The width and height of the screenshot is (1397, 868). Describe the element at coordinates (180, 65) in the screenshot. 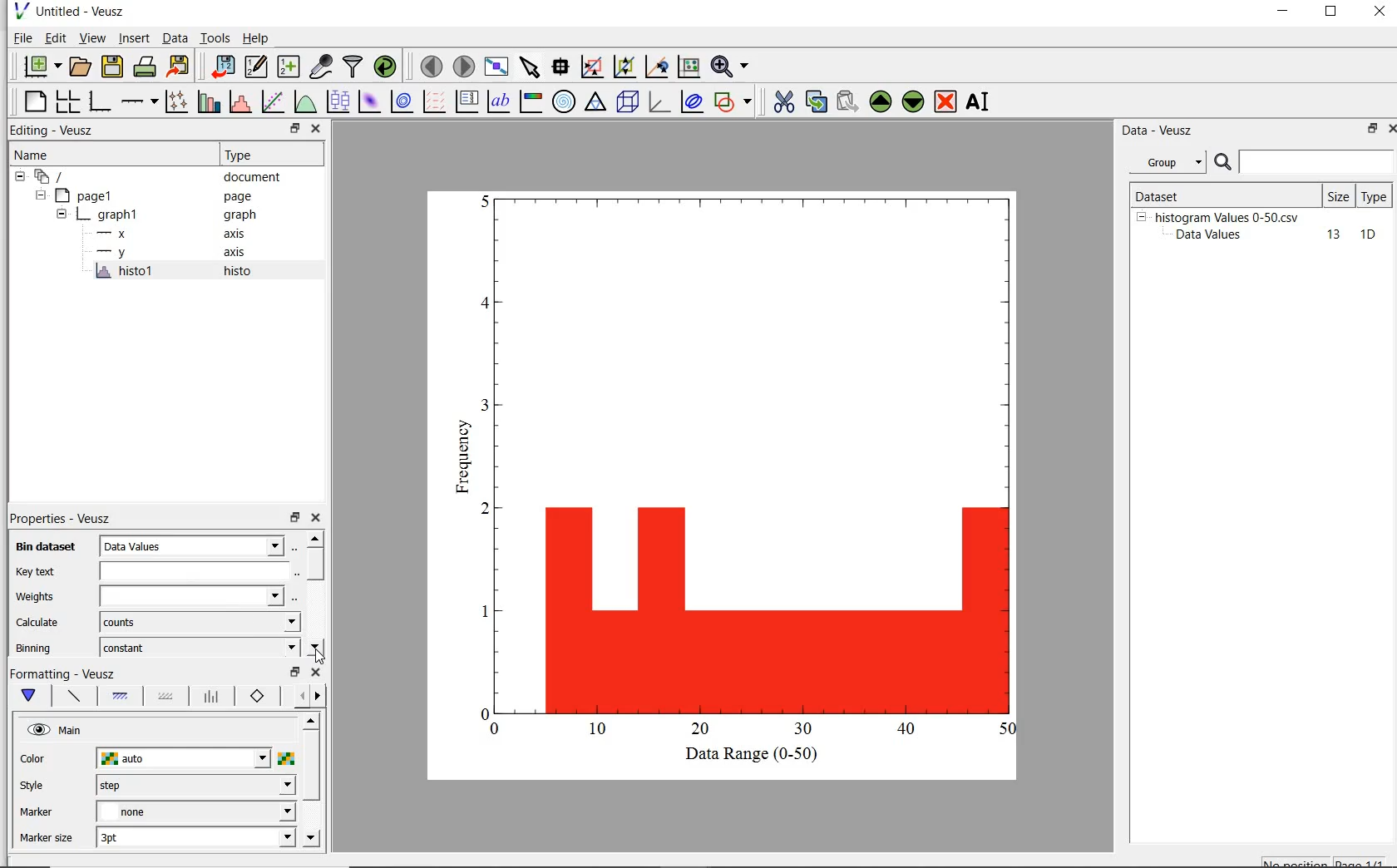

I see `export to graphics format` at that location.